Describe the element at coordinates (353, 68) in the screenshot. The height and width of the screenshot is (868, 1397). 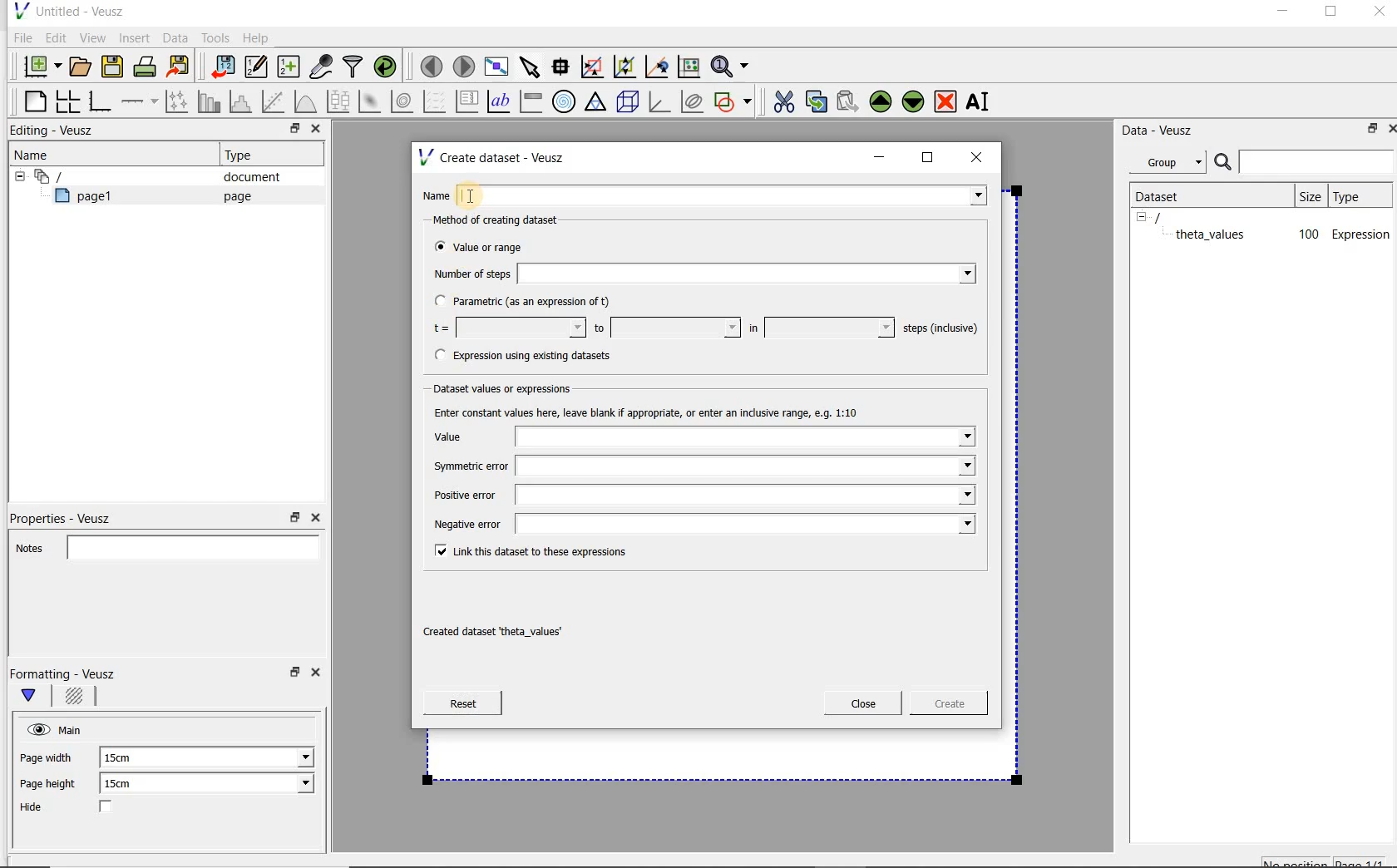
I see `filter data` at that location.